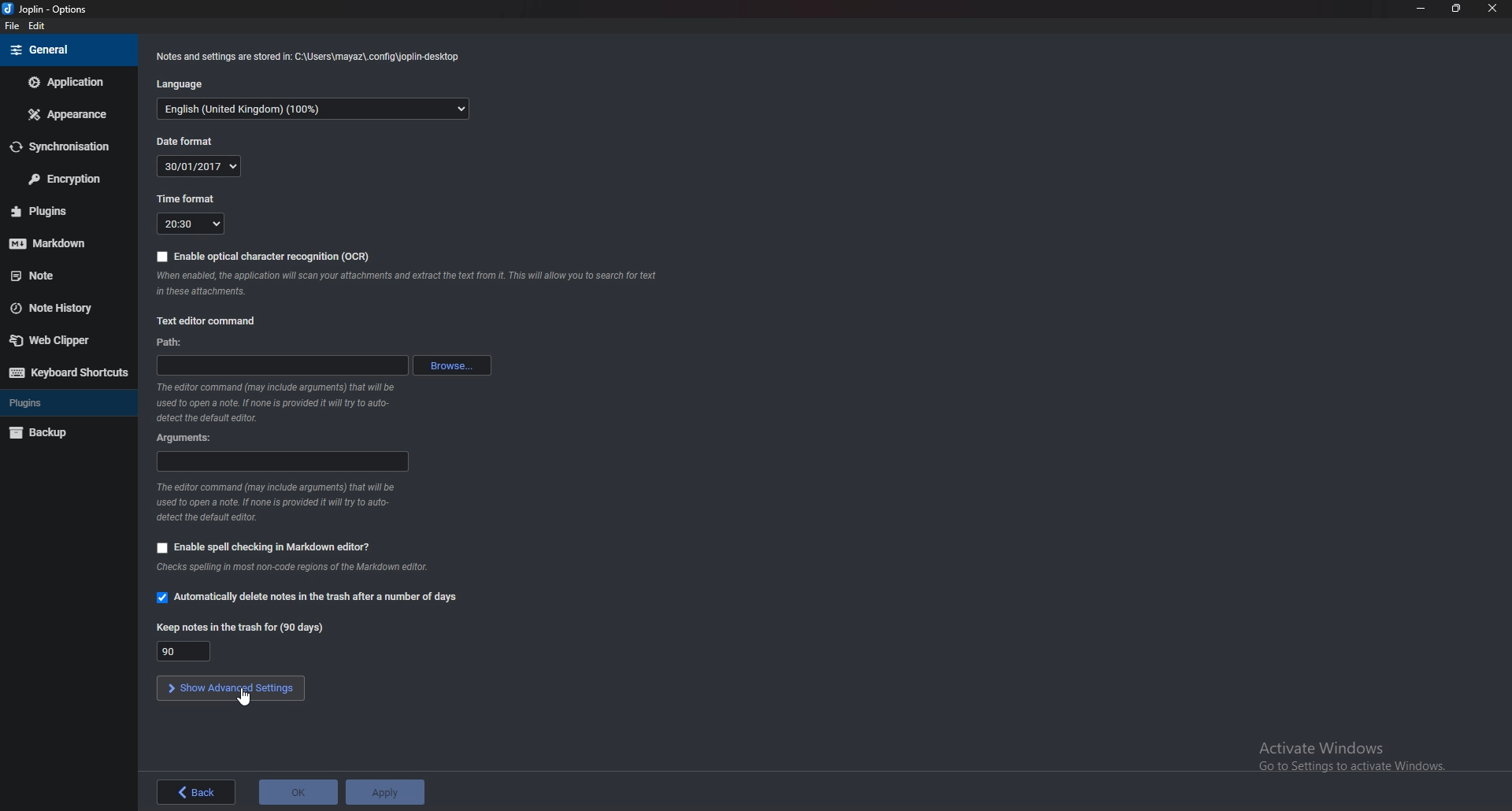  I want to click on arguments, so click(280, 462).